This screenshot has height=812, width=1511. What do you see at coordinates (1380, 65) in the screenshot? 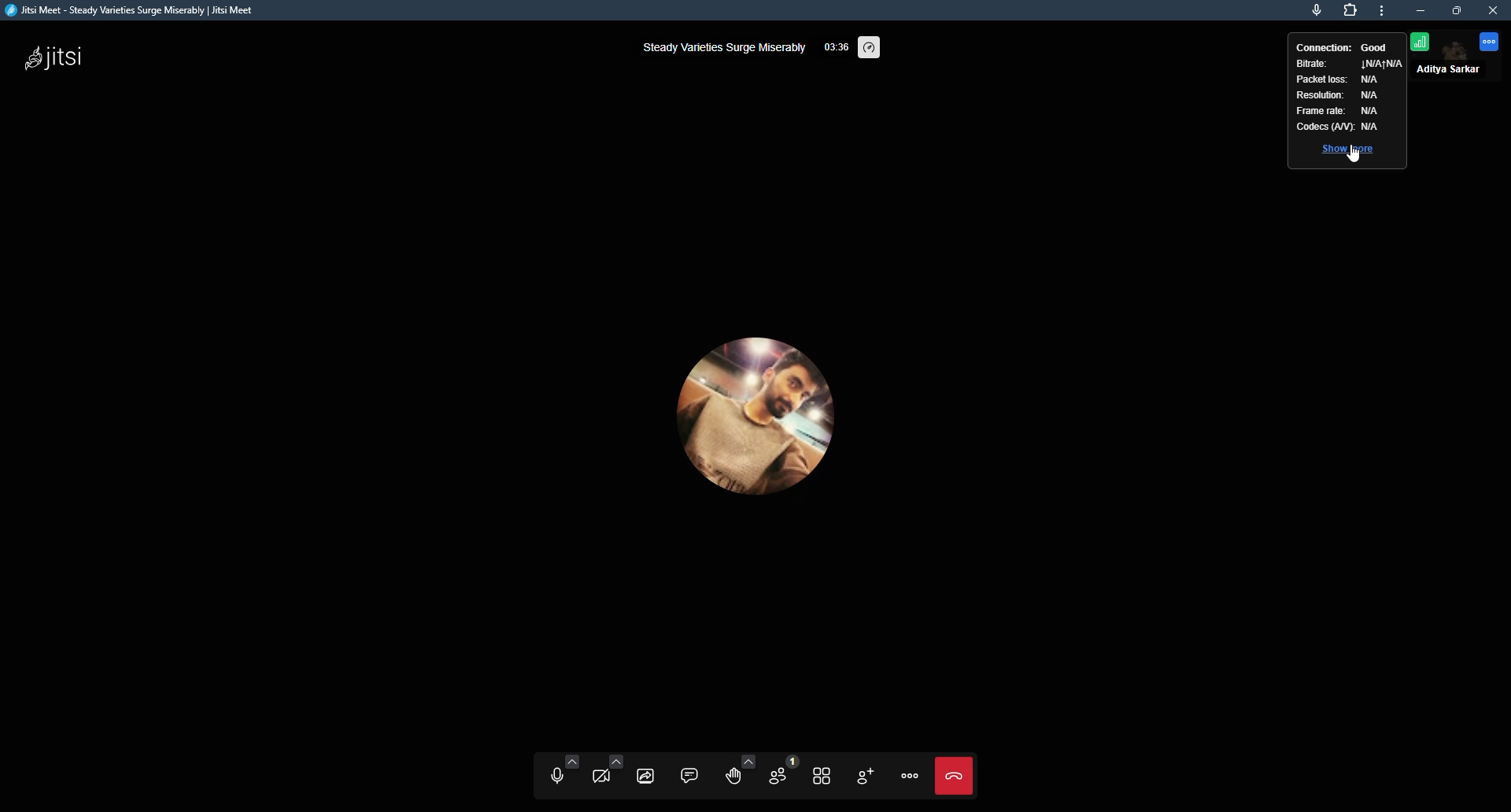
I see `na` at bounding box center [1380, 65].